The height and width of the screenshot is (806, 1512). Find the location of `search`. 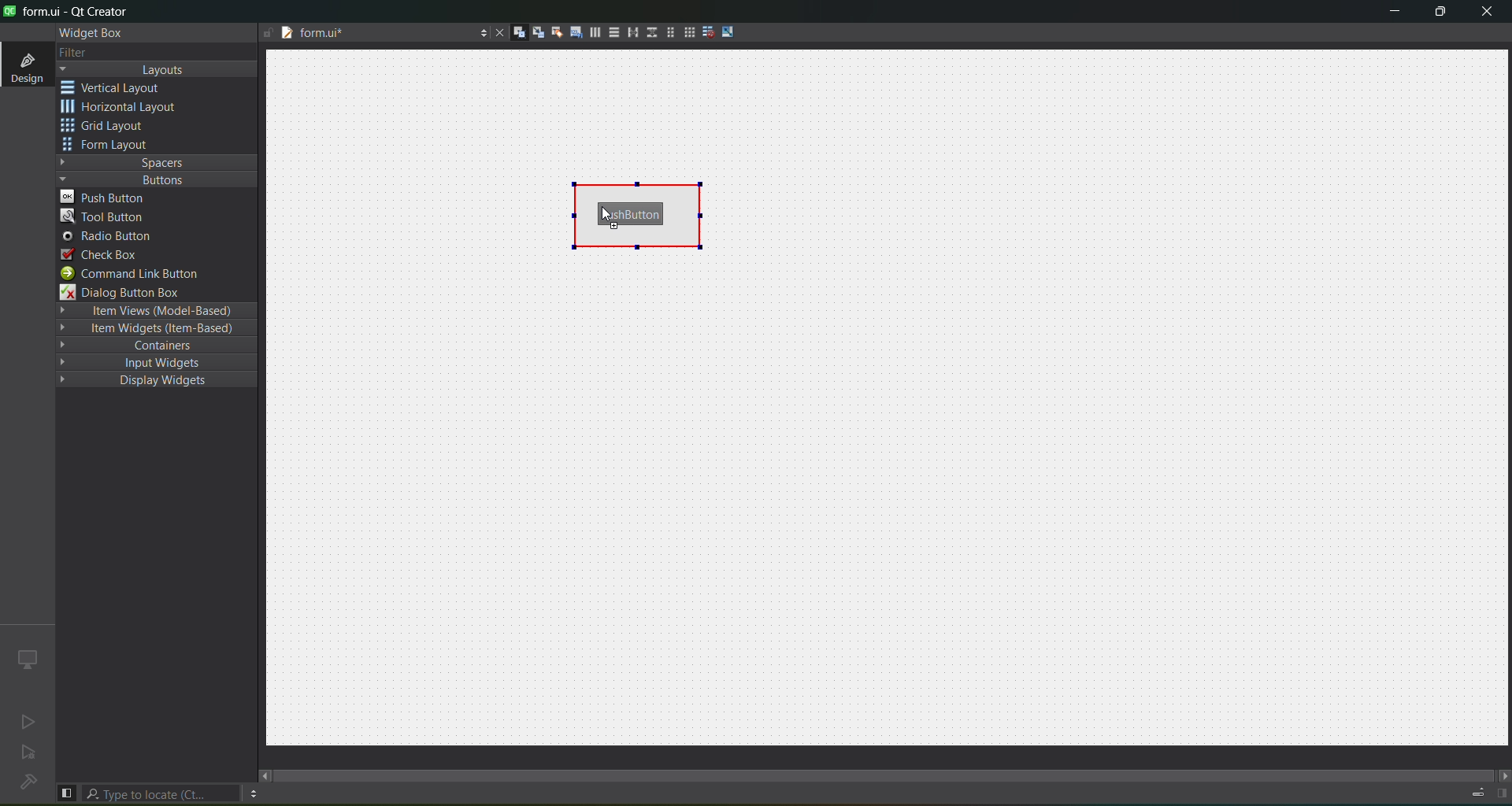

search is located at coordinates (162, 793).